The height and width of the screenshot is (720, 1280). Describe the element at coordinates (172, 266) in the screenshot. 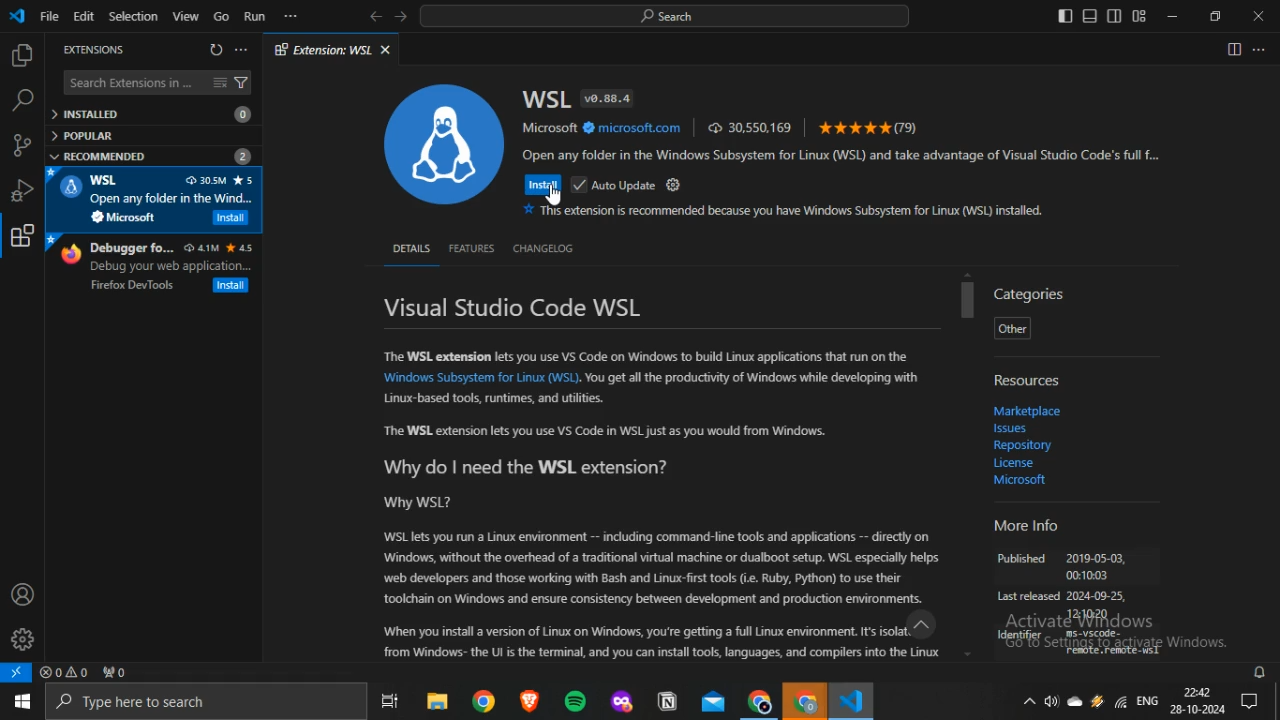

I see `Debug your web application...` at that location.